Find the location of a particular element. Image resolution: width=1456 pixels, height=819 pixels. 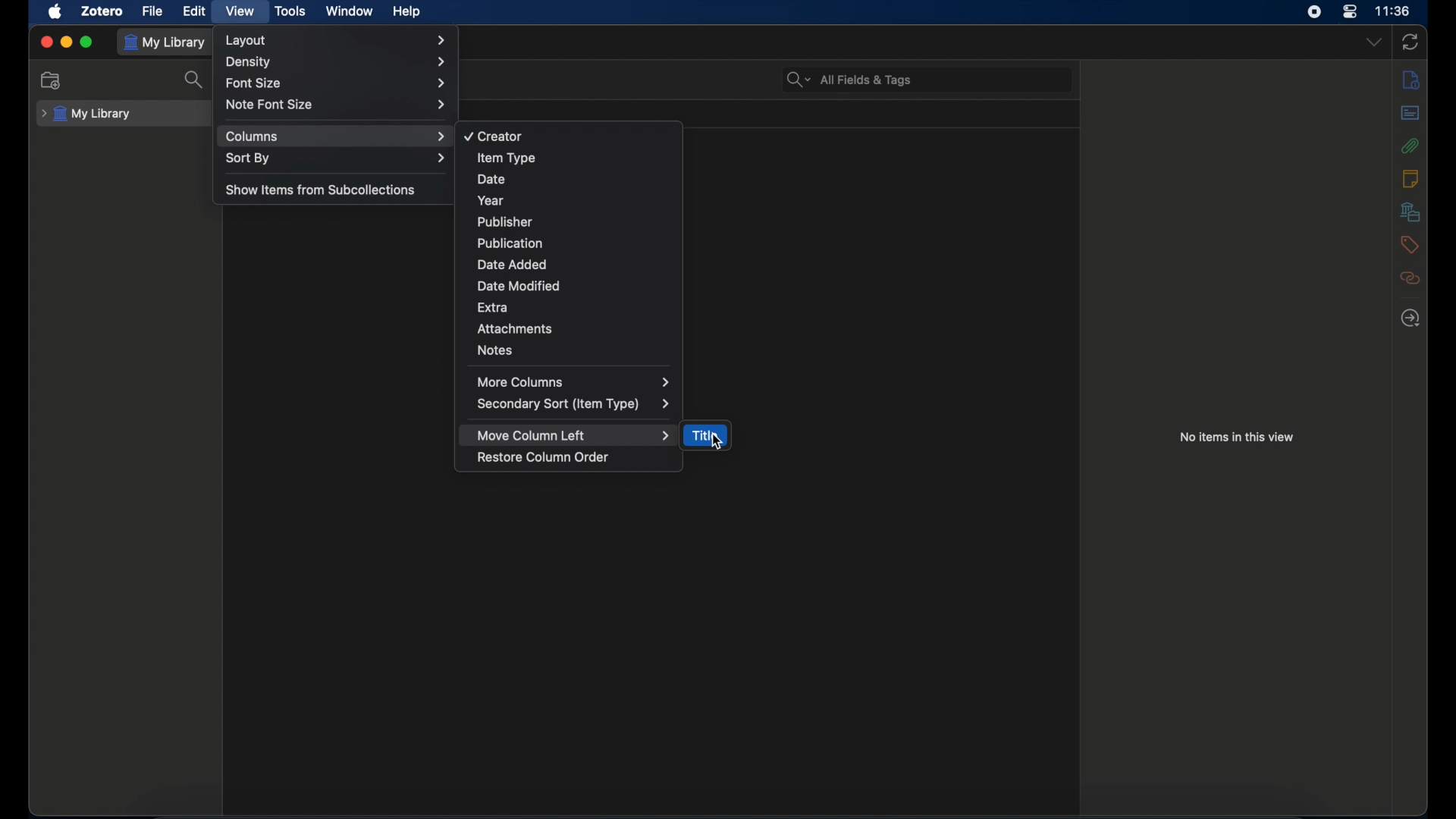

edit is located at coordinates (196, 11).